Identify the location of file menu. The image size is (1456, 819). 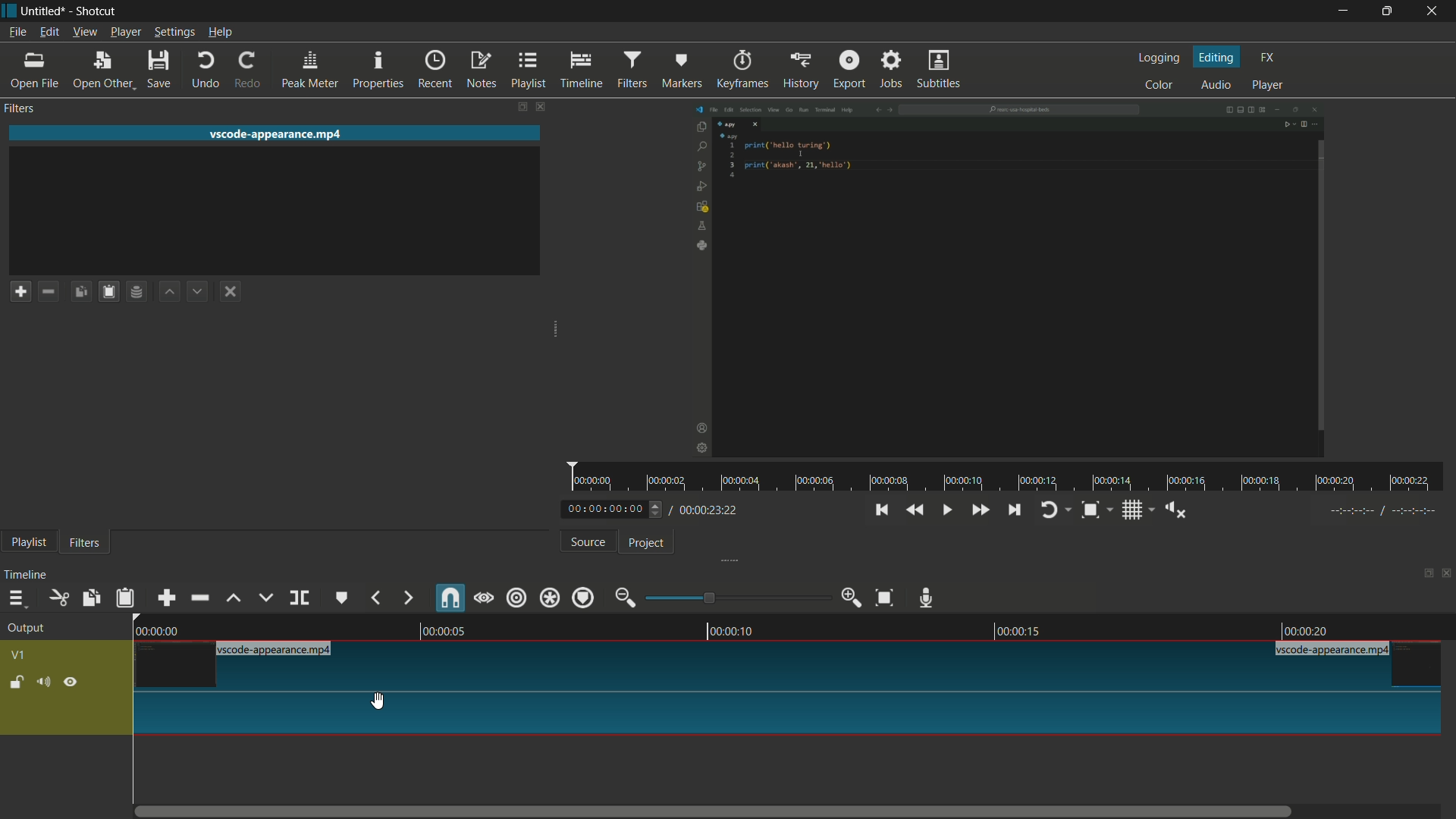
(15, 32).